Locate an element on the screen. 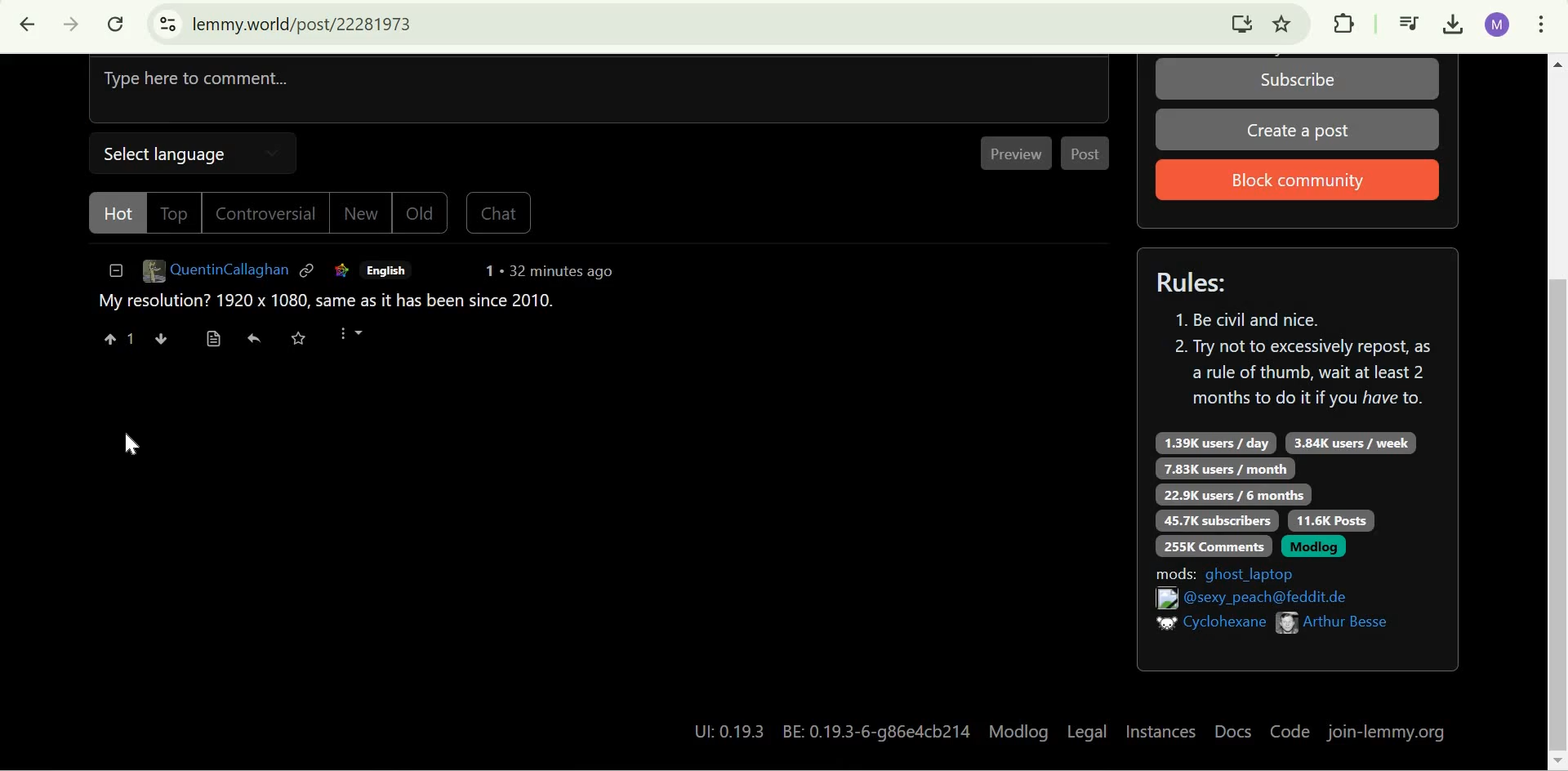 Image resolution: width=1568 pixels, height=771 pixels. mods: is located at coordinates (1174, 572).